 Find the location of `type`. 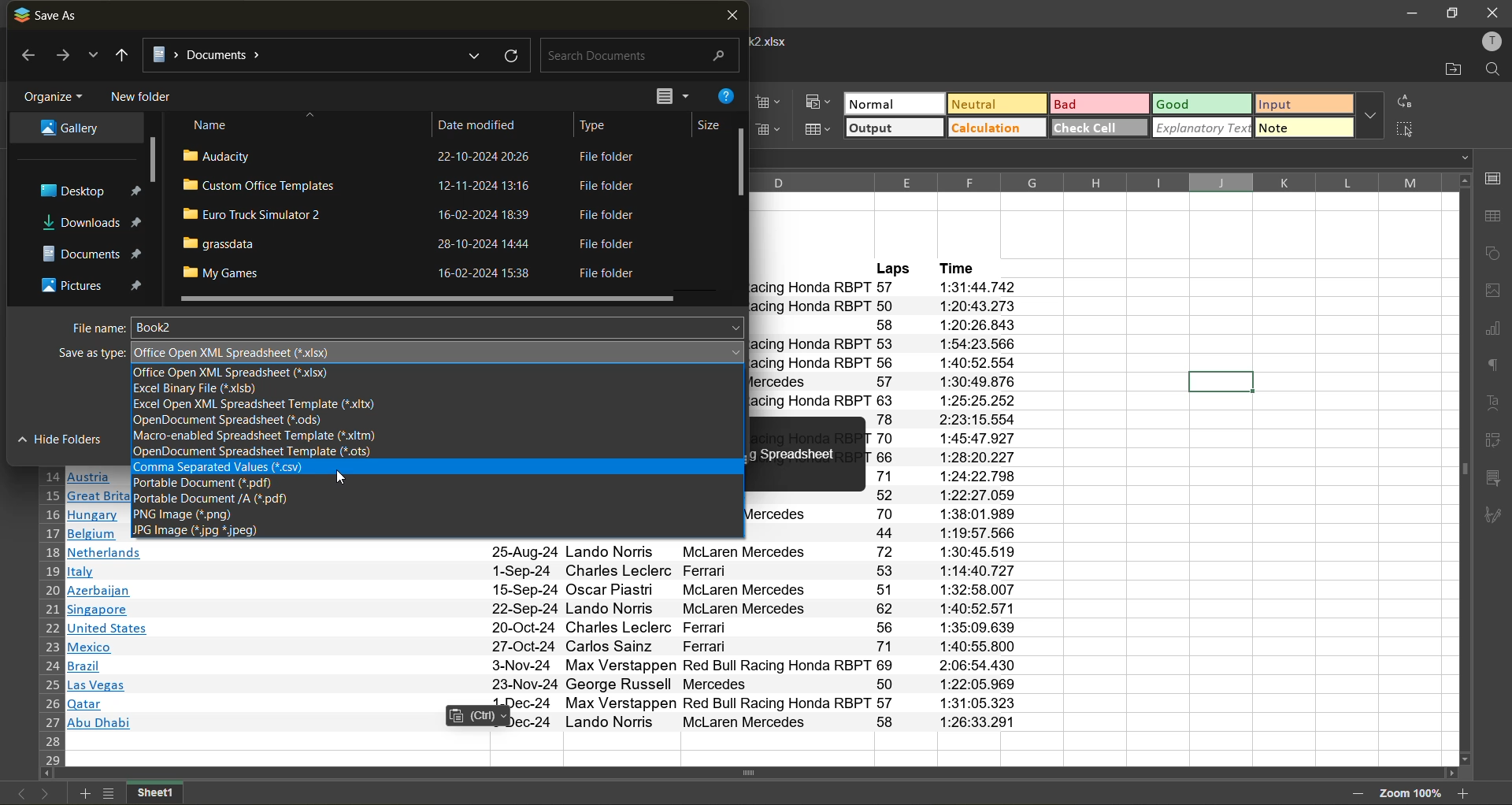

type is located at coordinates (601, 123).